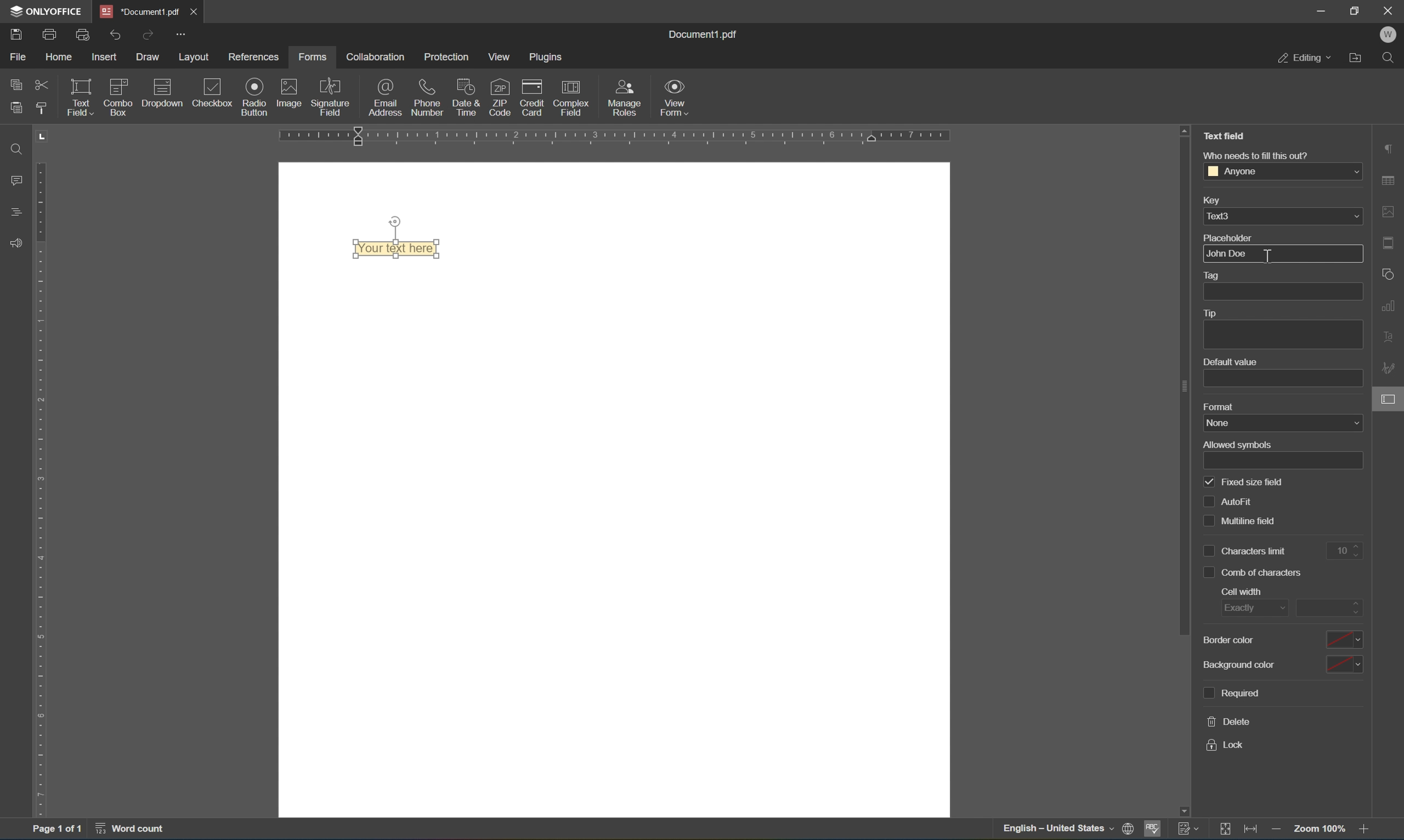 The image size is (1404, 840). Describe the element at coordinates (1230, 252) in the screenshot. I see `John Doe` at that location.